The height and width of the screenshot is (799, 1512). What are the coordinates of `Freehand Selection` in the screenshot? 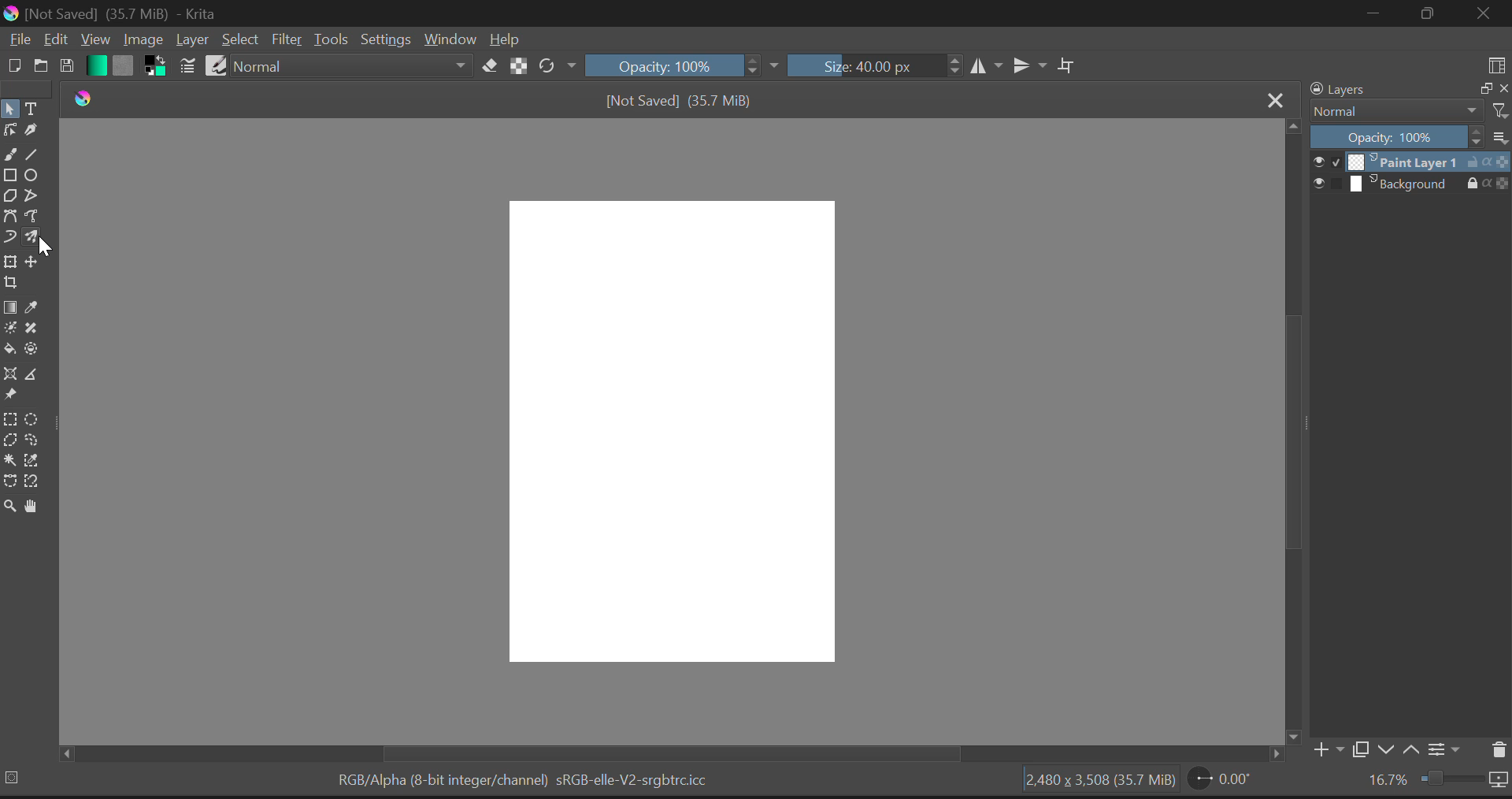 It's located at (38, 440).